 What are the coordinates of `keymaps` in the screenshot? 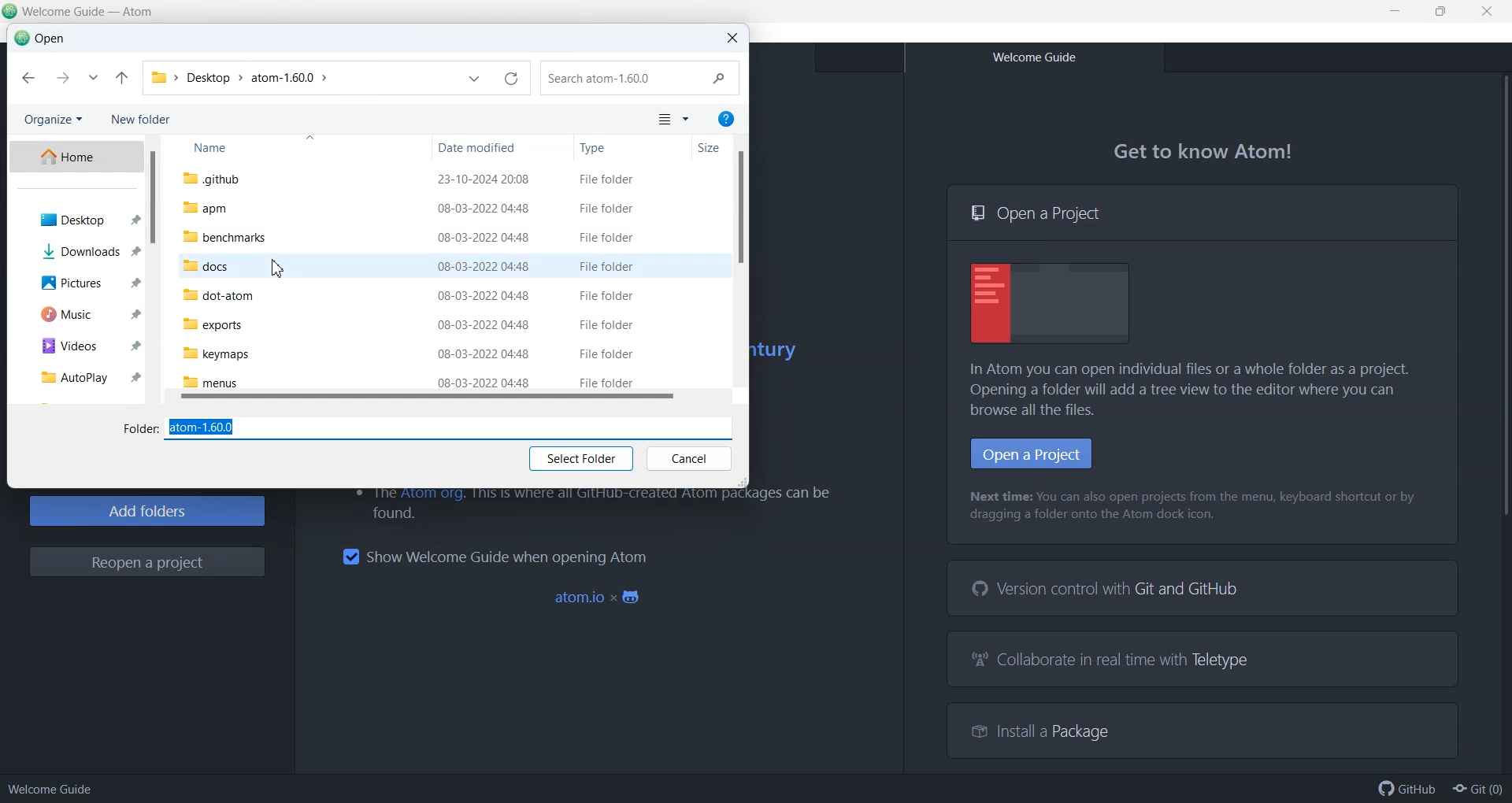 It's located at (215, 353).